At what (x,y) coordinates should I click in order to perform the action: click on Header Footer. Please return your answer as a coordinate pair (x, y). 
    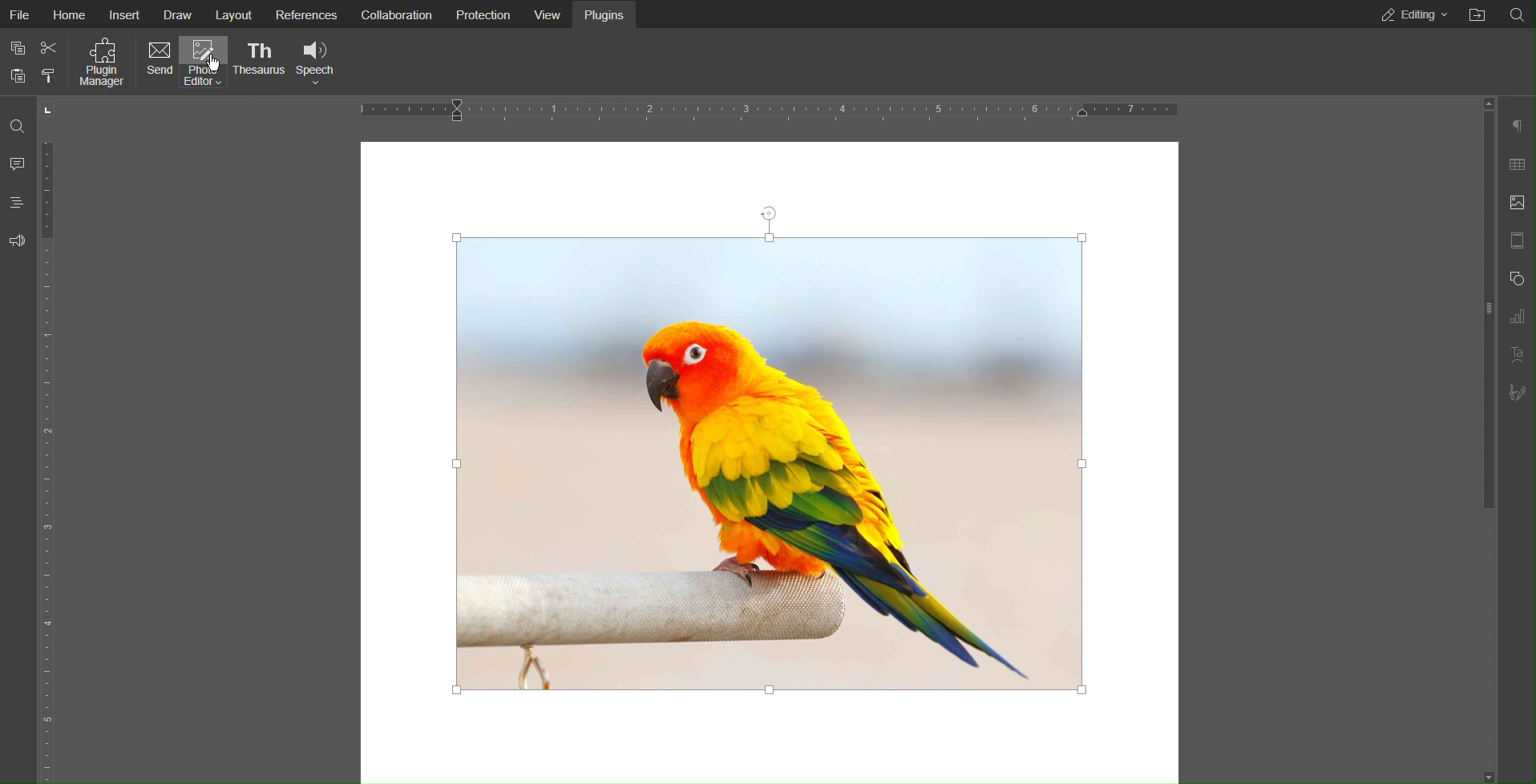
    Looking at the image, I should click on (1516, 240).